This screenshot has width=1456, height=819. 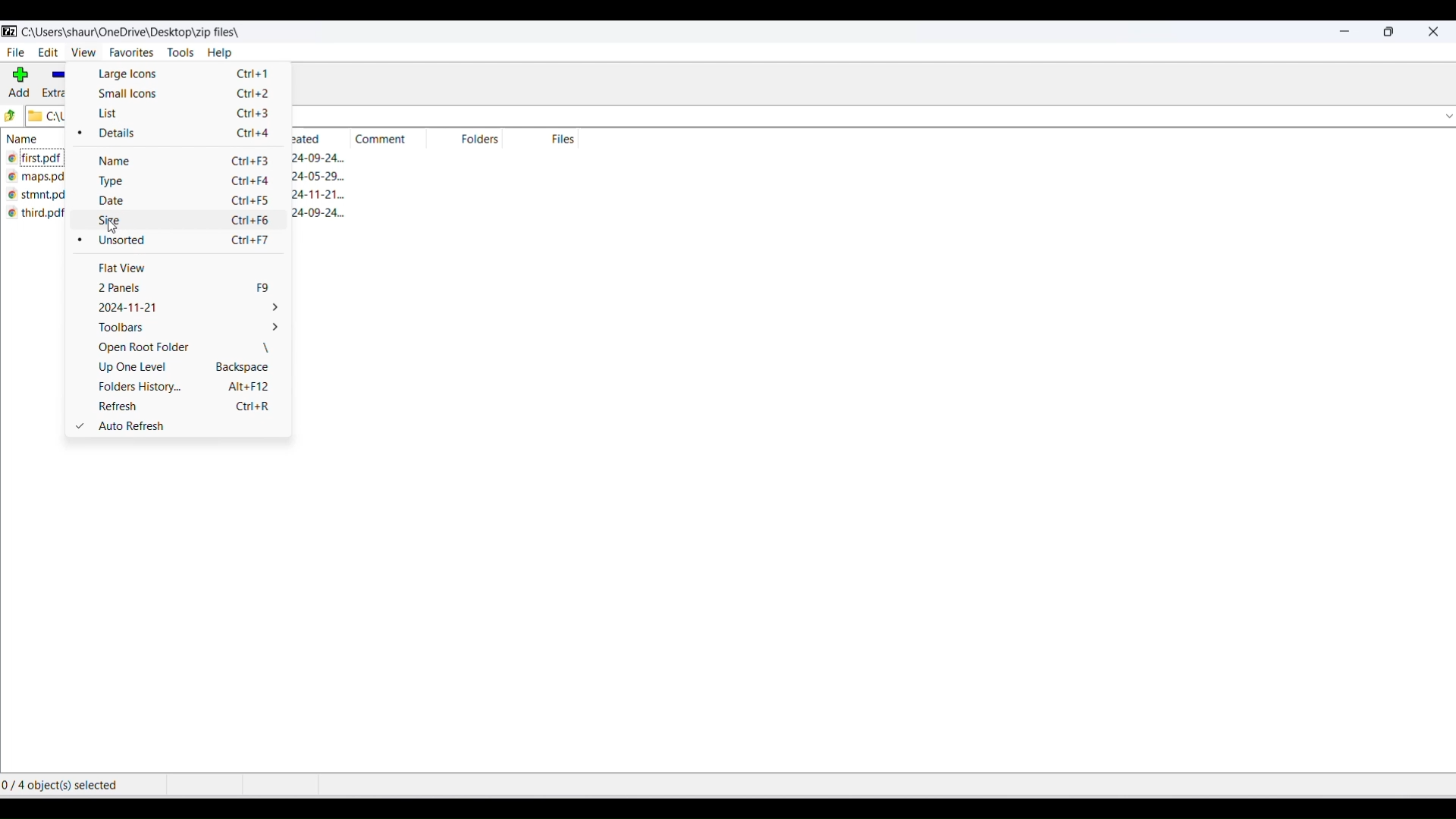 What do you see at coordinates (57, 83) in the screenshot?
I see `extract` at bounding box center [57, 83].